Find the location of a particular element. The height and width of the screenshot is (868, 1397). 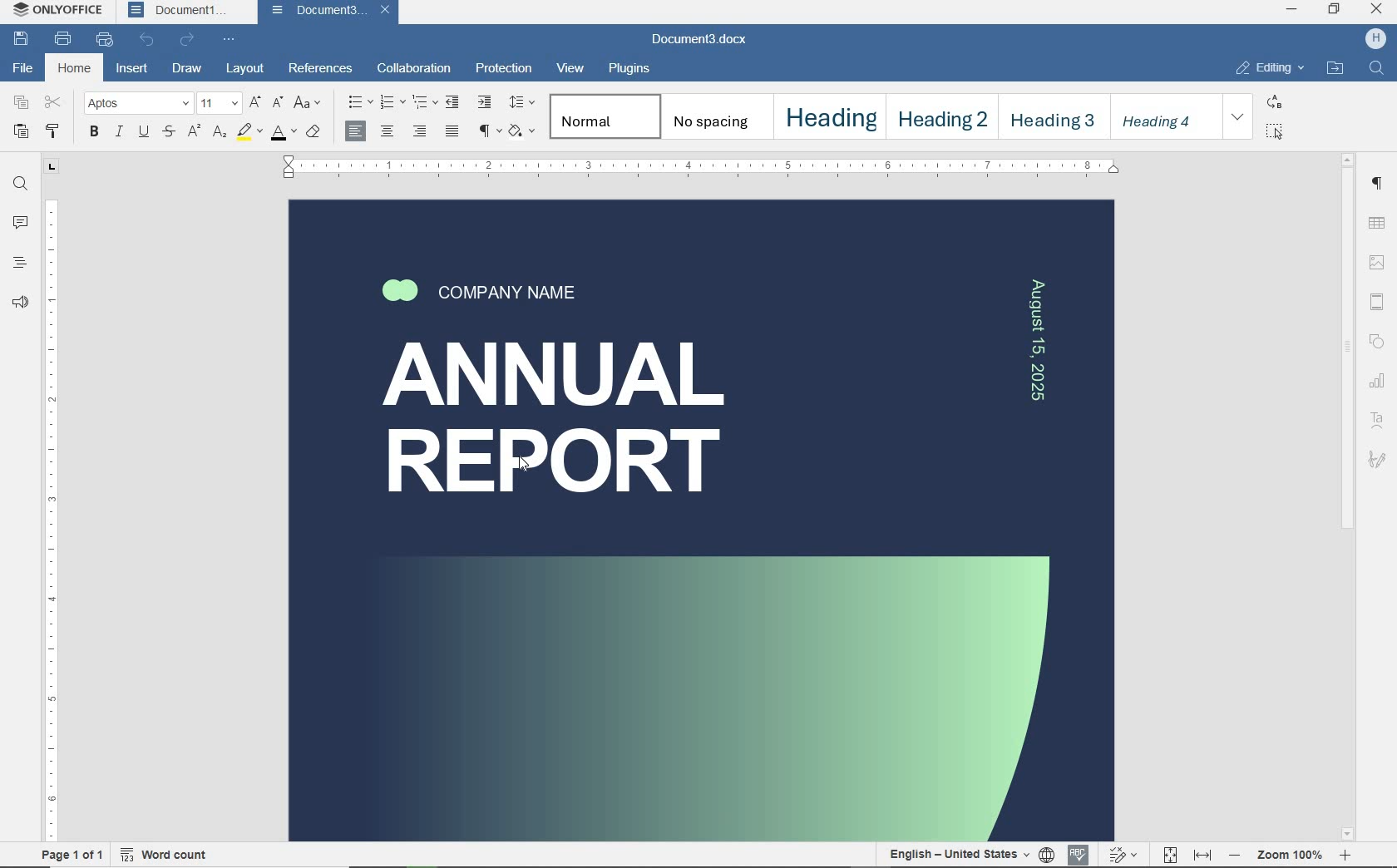

close is located at coordinates (1376, 11).